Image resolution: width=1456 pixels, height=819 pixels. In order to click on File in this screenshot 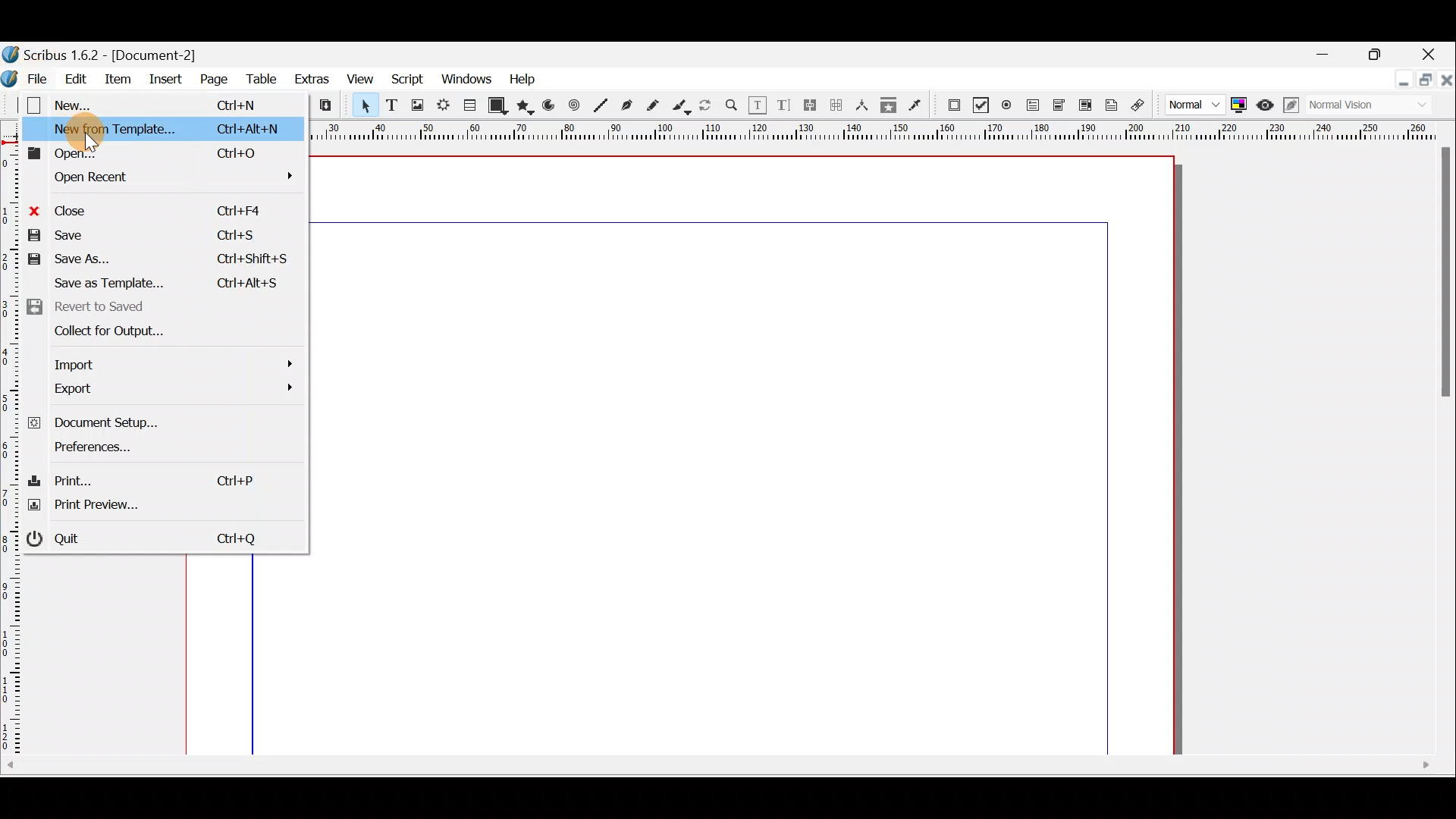, I will do `click(27, 77)`.